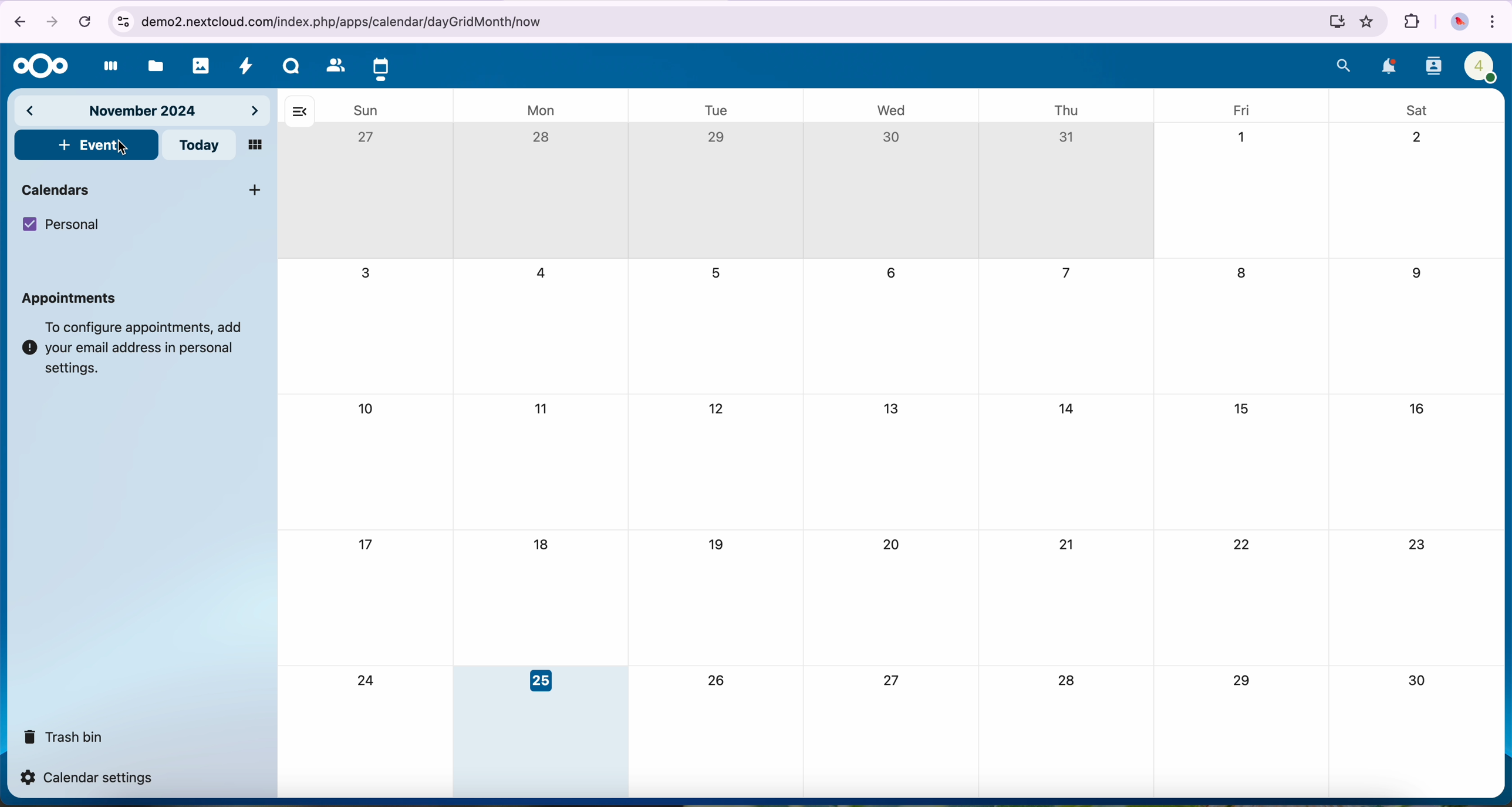 The width and height of the screenshot is (1512, 807). I want to click on mosaic view, so click(256, 145).